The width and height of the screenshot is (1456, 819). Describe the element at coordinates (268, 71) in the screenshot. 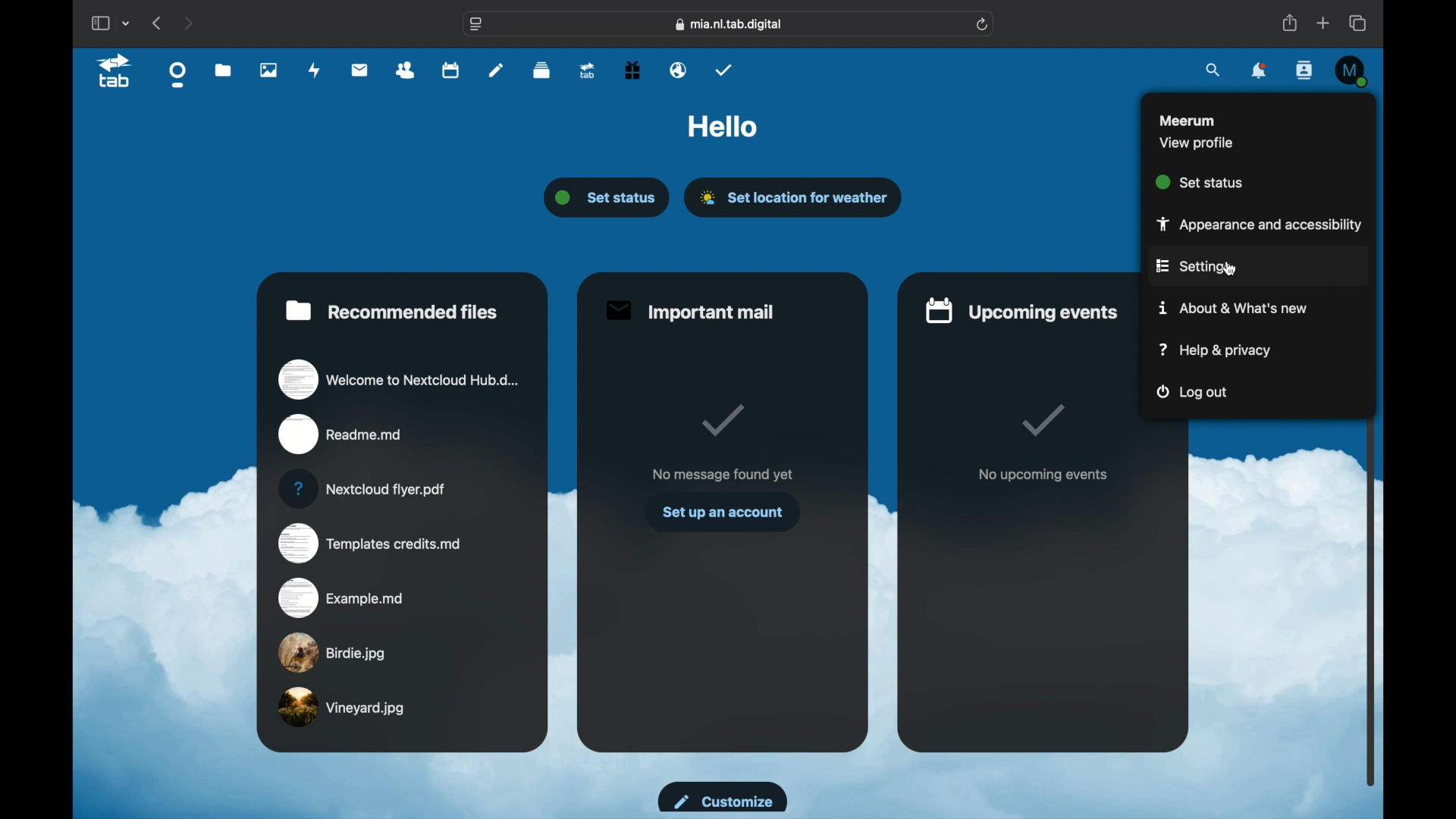

I see `photos` at that location.